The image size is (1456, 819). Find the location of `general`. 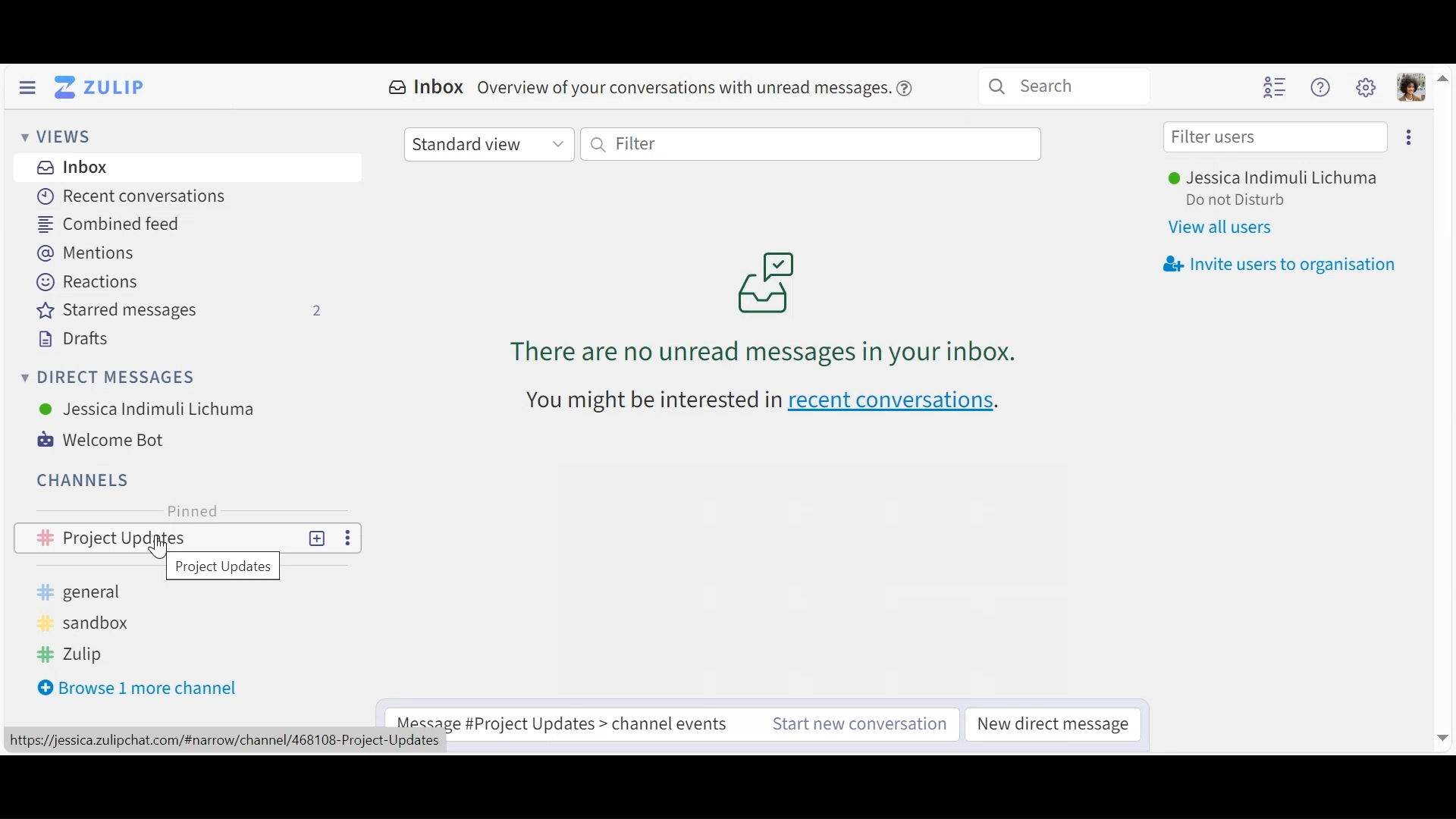

general is located at coordinates (90, 592).